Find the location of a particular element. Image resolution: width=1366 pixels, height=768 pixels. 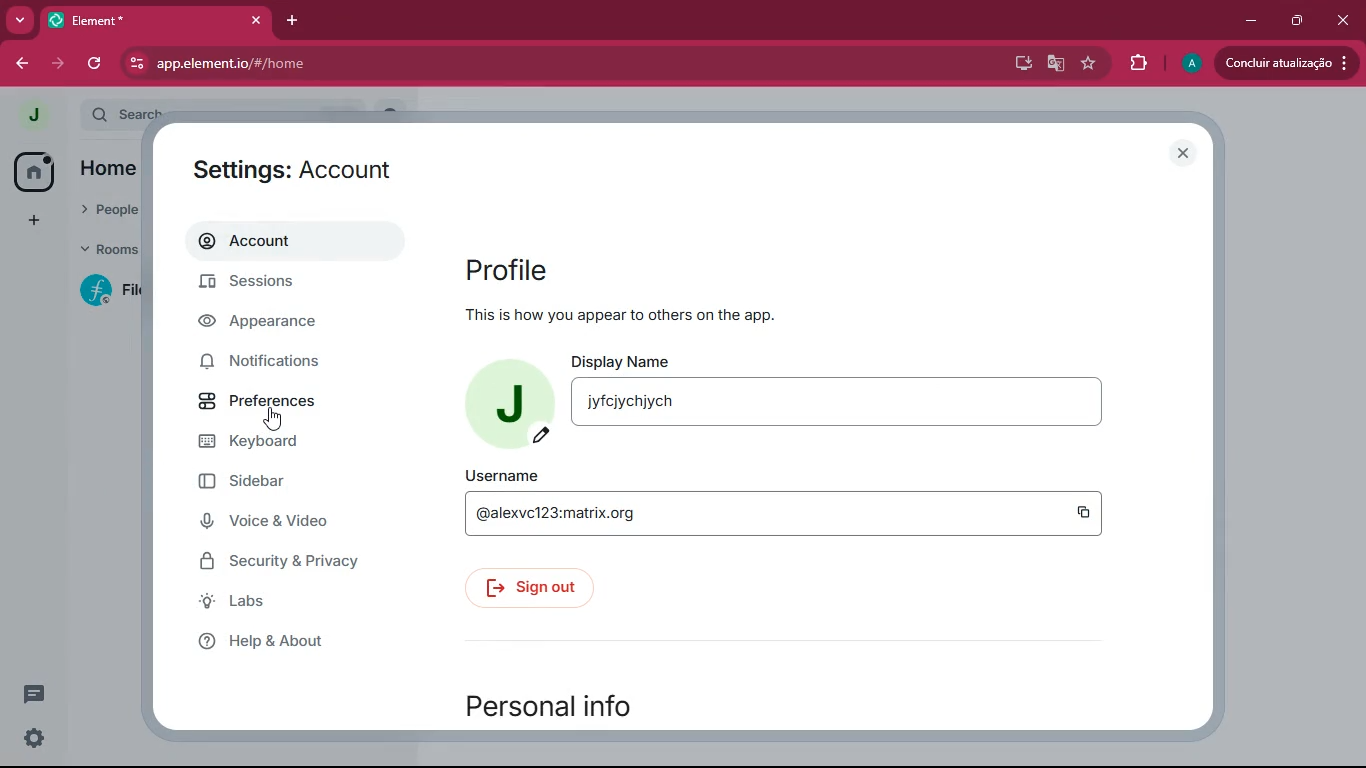

search ctrl k is located at coordinates (234, 115).